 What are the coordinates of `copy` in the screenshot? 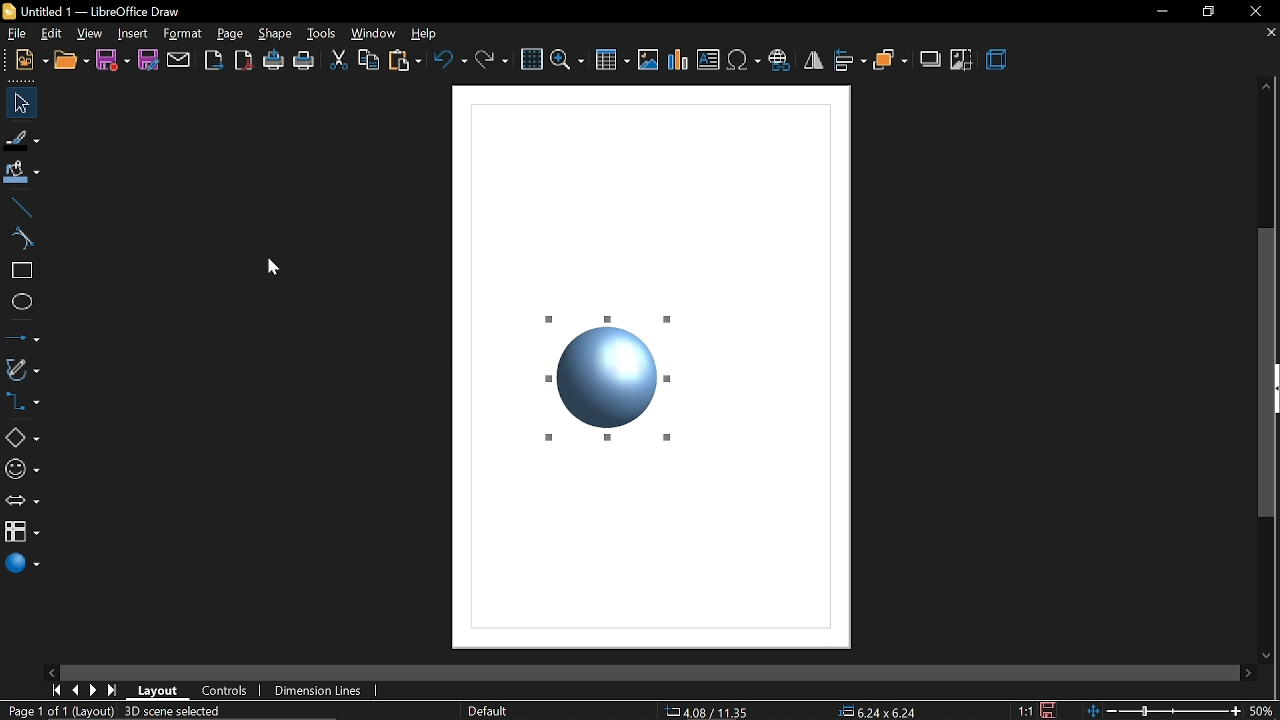 It's located at (370, 61).